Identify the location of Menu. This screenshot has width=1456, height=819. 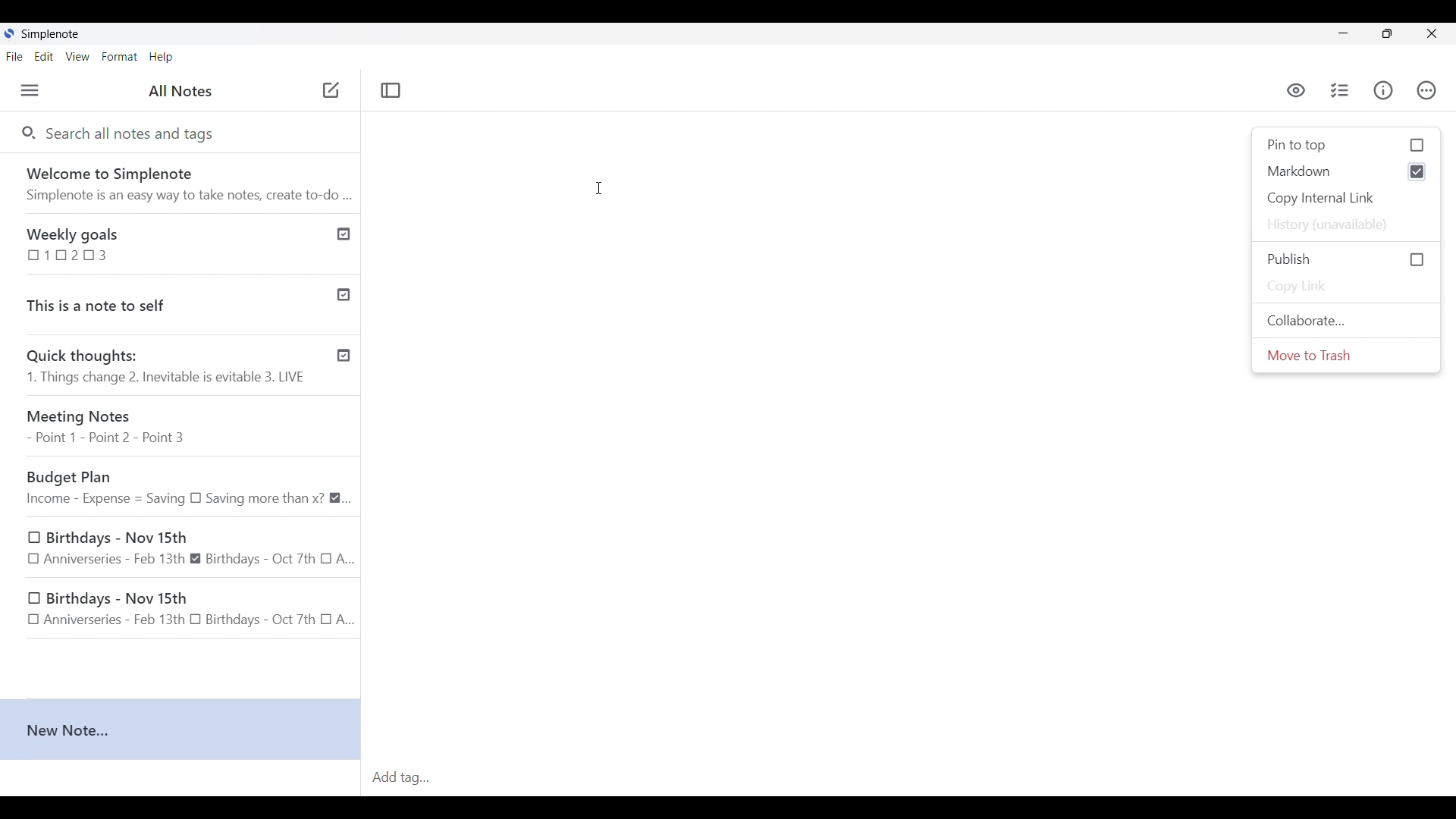
(30, 90).